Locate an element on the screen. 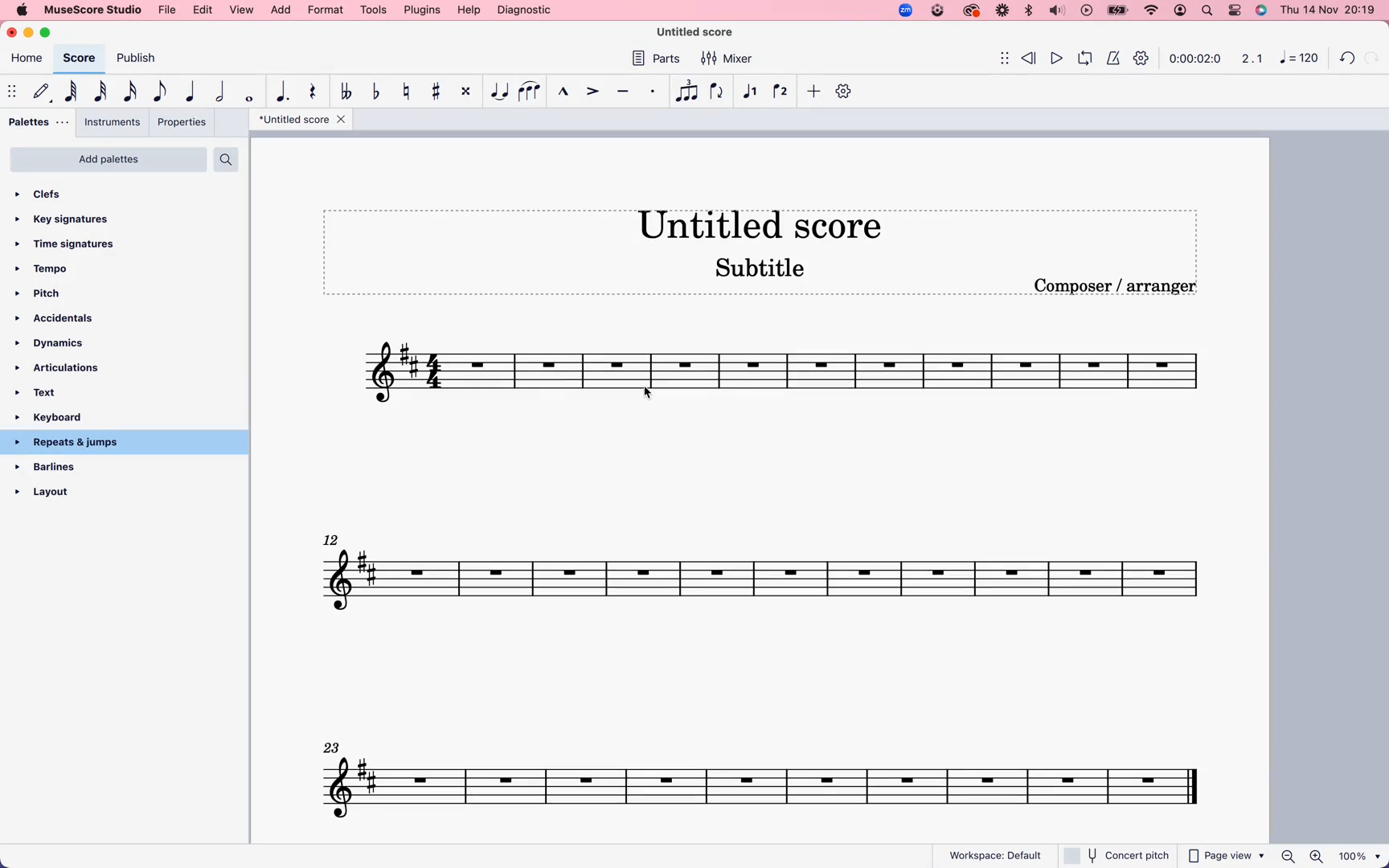 This screenshot has width=1389, height=868. publish is located at coordinates (141, 59).